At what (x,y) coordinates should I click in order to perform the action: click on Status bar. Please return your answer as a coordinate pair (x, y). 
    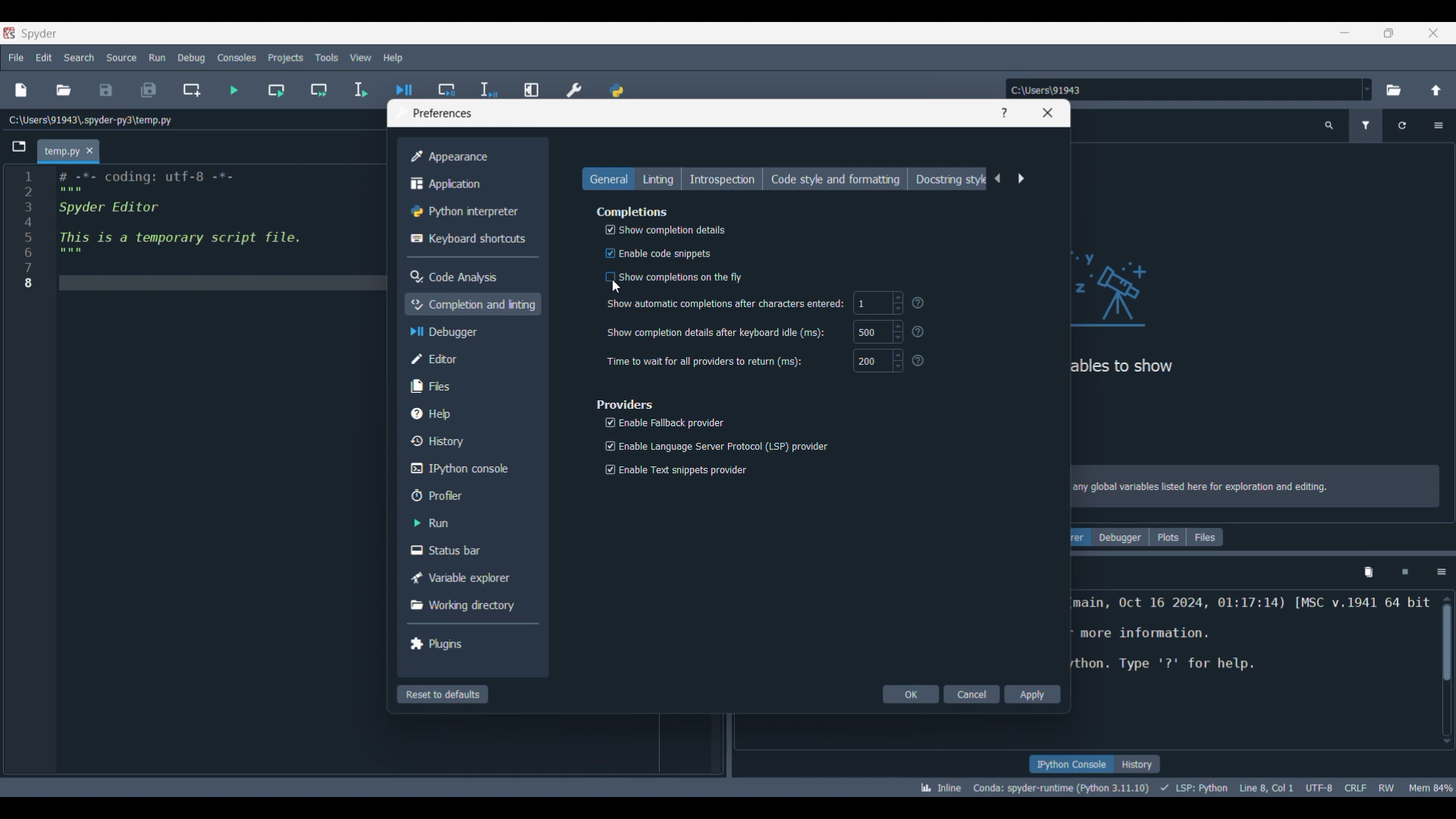
    Looking at the image, I should click on (469, 549).